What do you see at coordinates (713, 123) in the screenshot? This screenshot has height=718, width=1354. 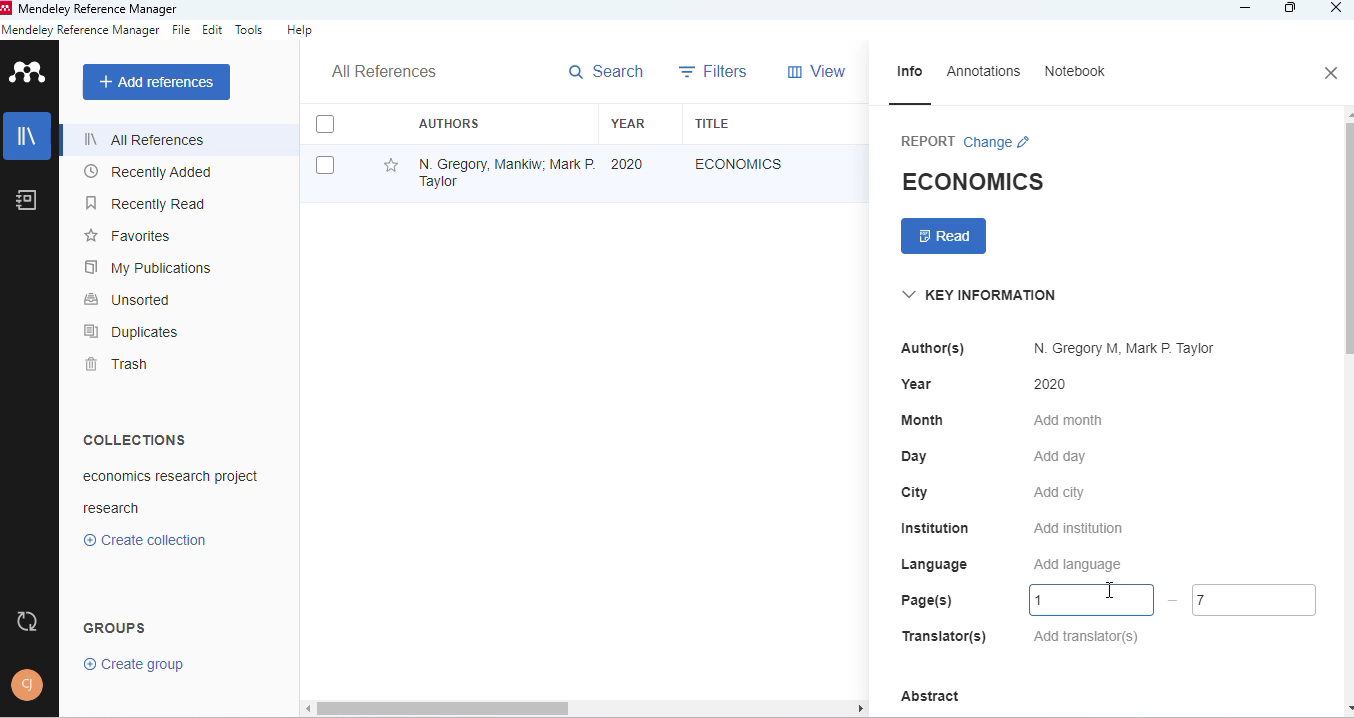 I see `title` at bounding box center [713, 123].